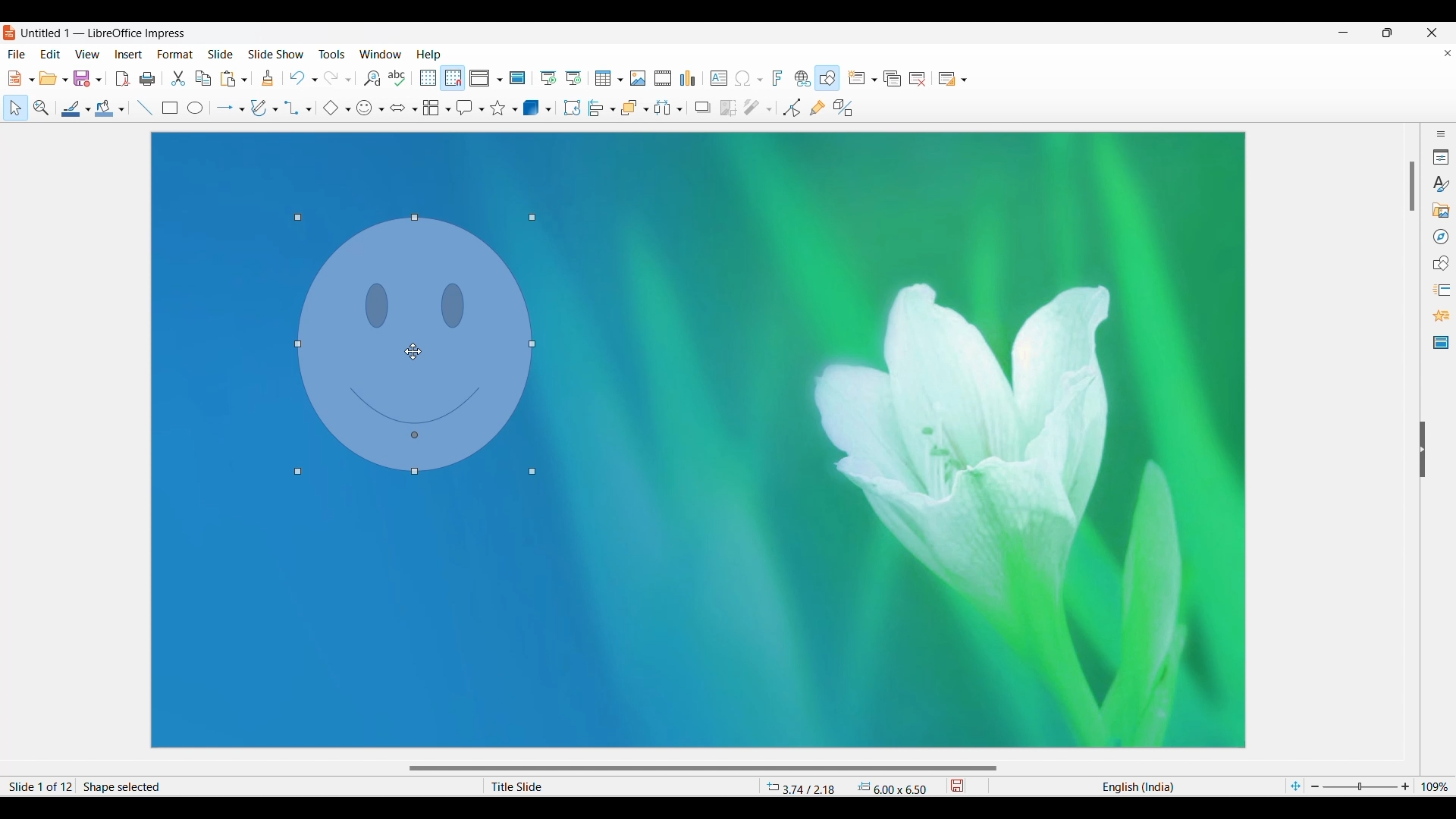 This screenshot has height=819, width=1456. Describe the element at coordinates (146, 108) in the screenshot. I see `Insert line` at that location.